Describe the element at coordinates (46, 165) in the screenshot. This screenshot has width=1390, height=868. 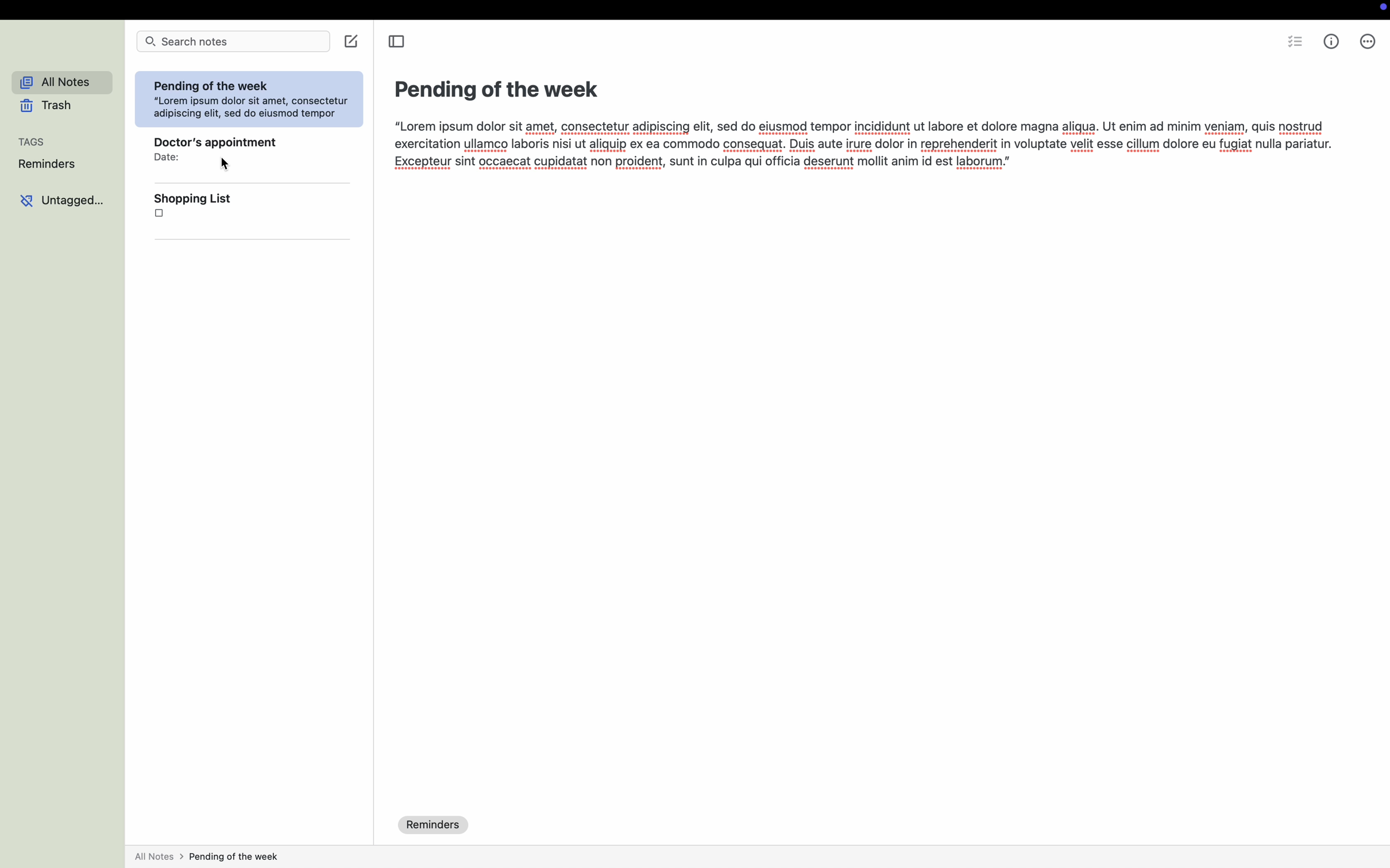
I see `reminders` at that location.